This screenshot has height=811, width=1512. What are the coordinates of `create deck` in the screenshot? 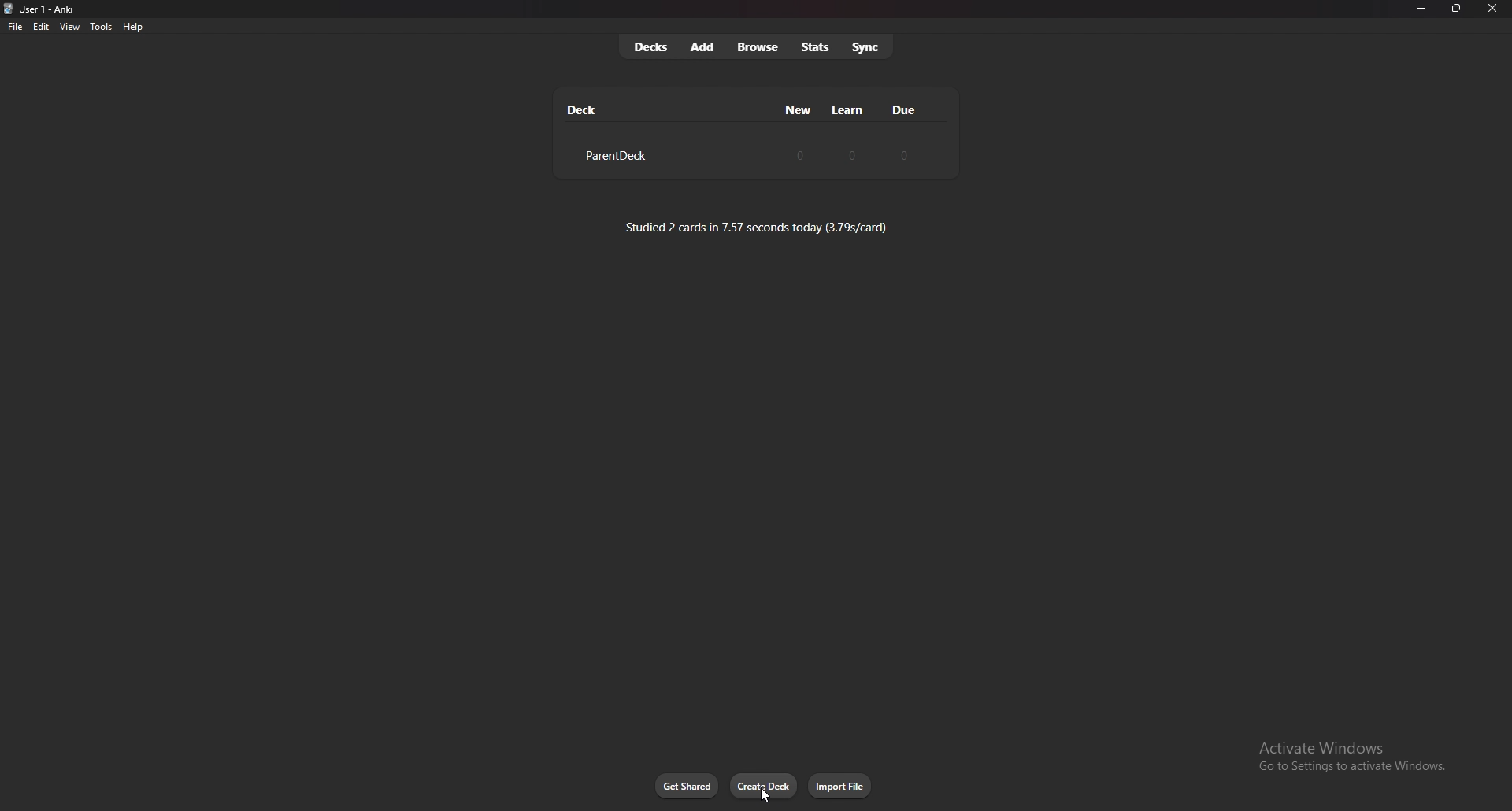 It's located at (764, 786).